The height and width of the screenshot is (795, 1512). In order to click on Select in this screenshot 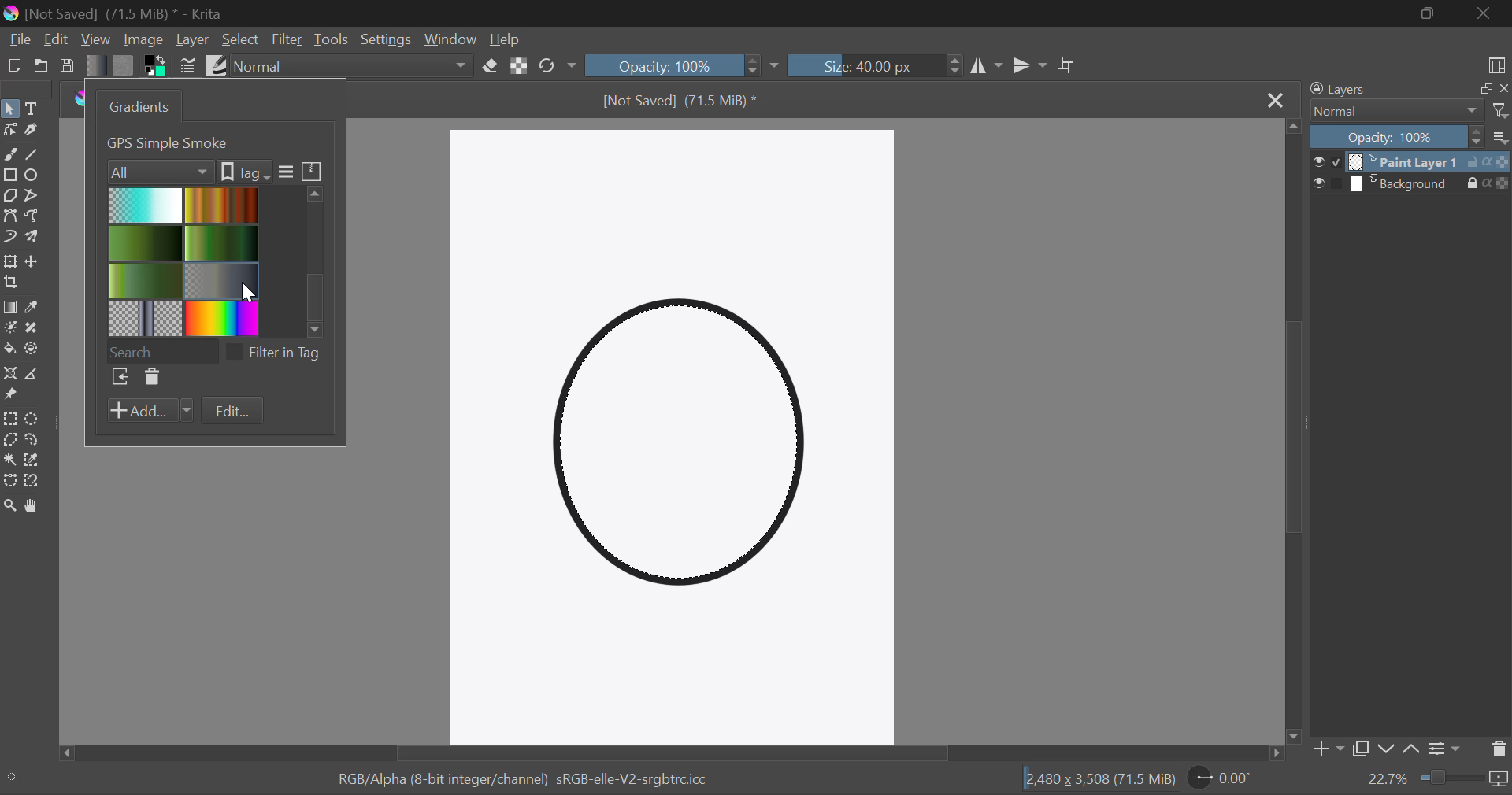, I will do `click(10, 109)`.